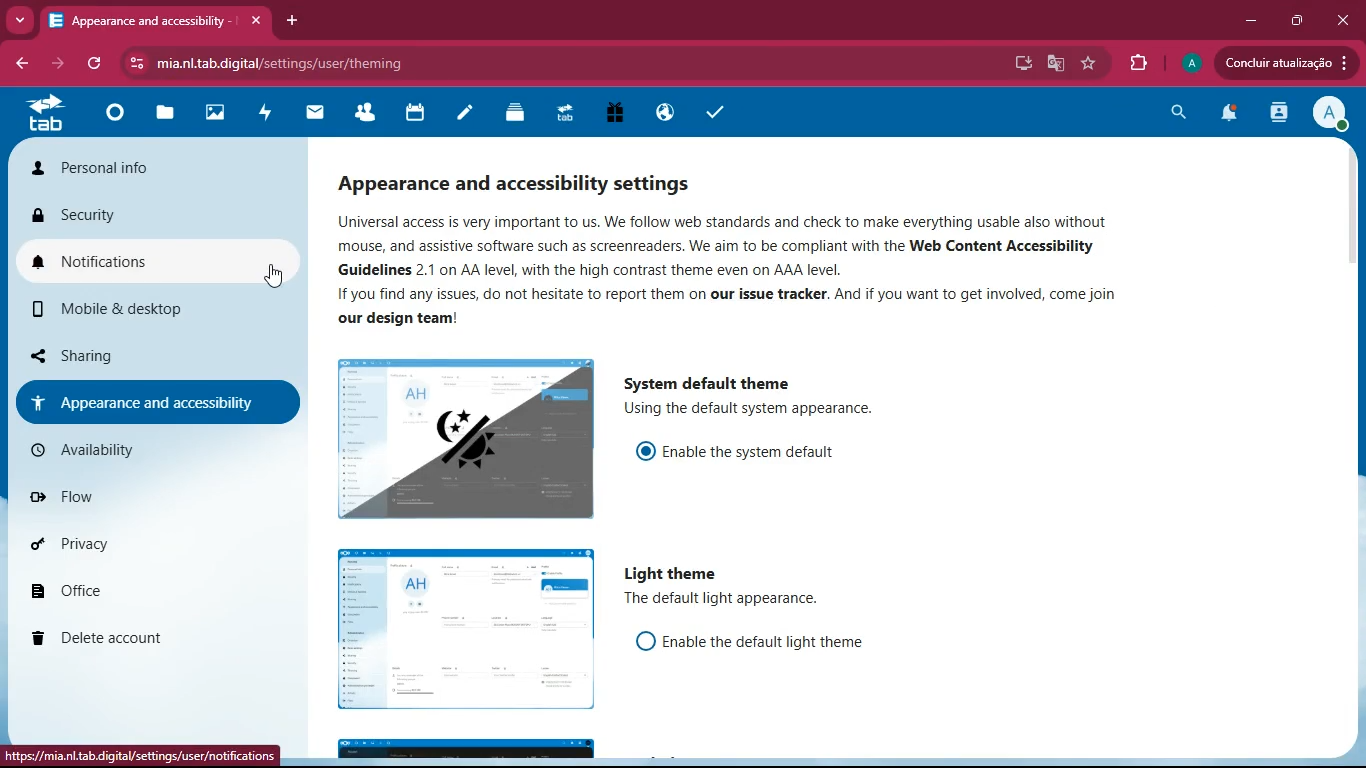 This screenshot has height=768, width=1366. I want to click on privacy, so click(136, 546).